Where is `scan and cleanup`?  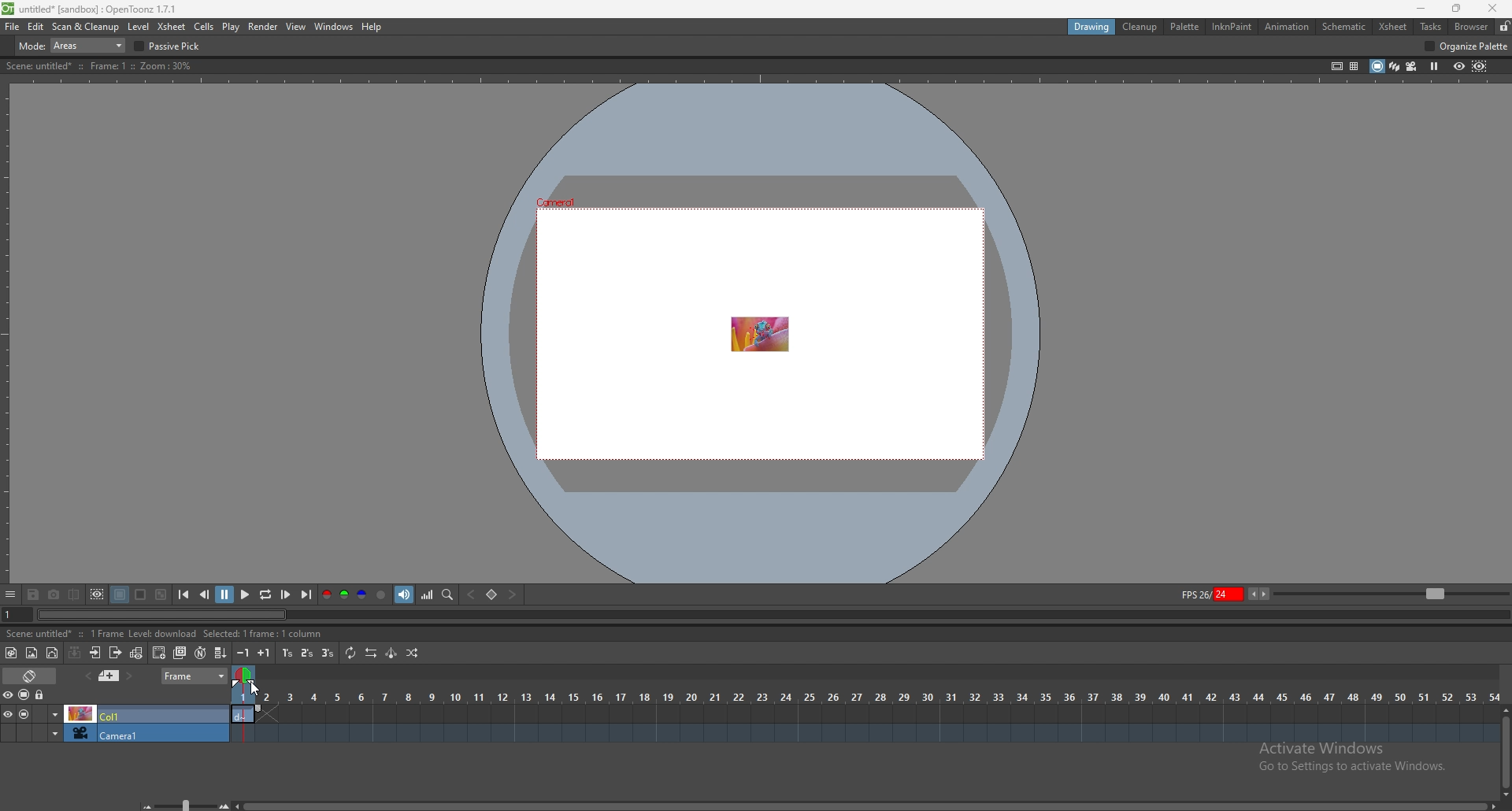 scan and cleanup is located at coordinates (87, 26).